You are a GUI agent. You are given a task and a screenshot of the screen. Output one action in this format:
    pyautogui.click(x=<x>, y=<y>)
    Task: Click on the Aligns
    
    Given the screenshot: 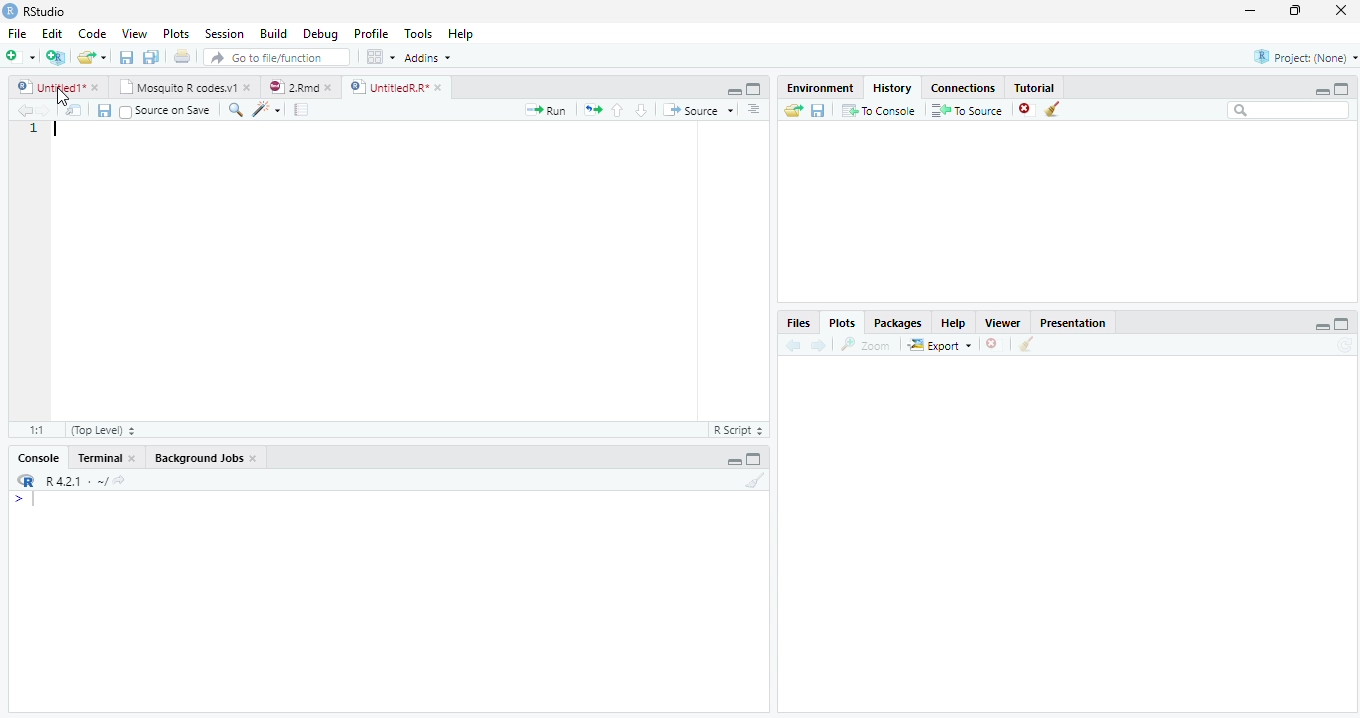 What is the action you would take?
    pyautogui.click(x=755, y=110)
    